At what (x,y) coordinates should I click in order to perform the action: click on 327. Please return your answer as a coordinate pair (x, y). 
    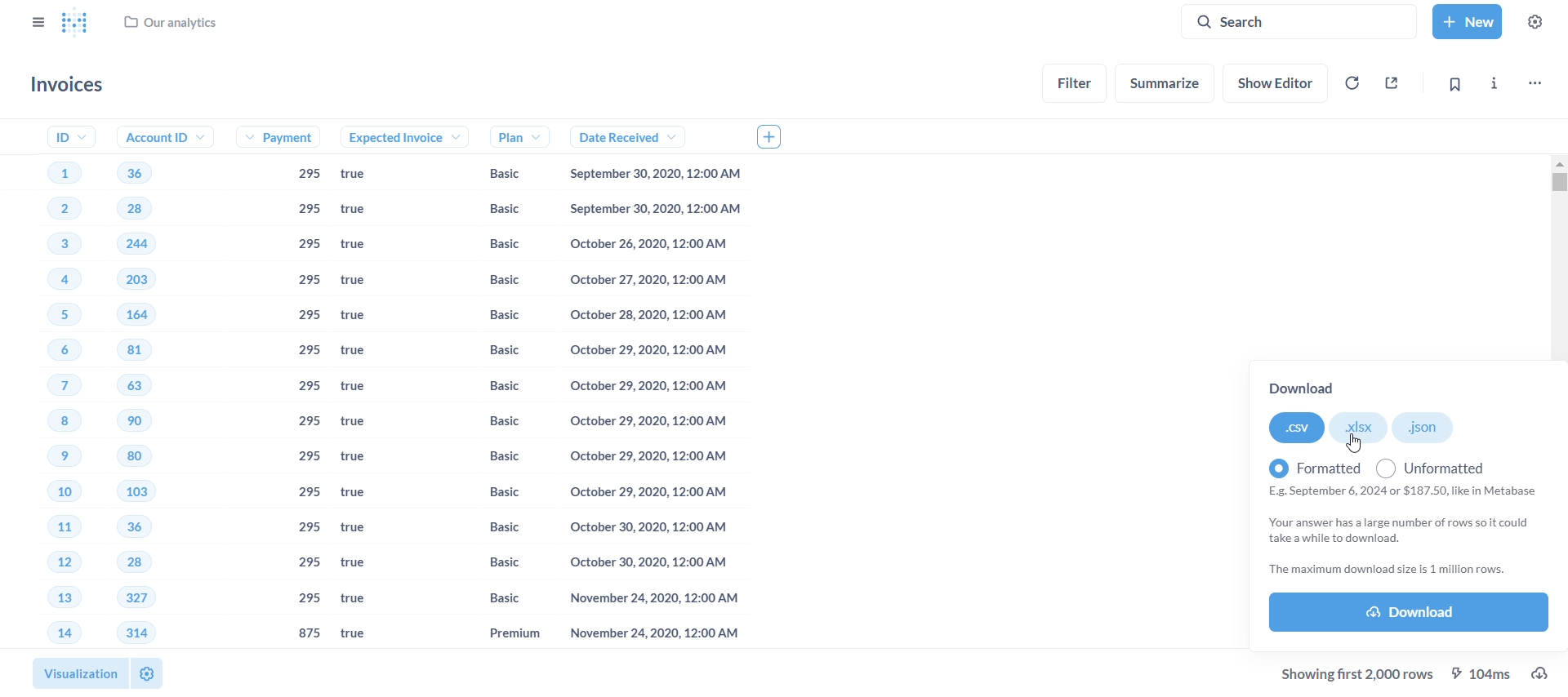
    Looking at the image, I should click on (136, 597).